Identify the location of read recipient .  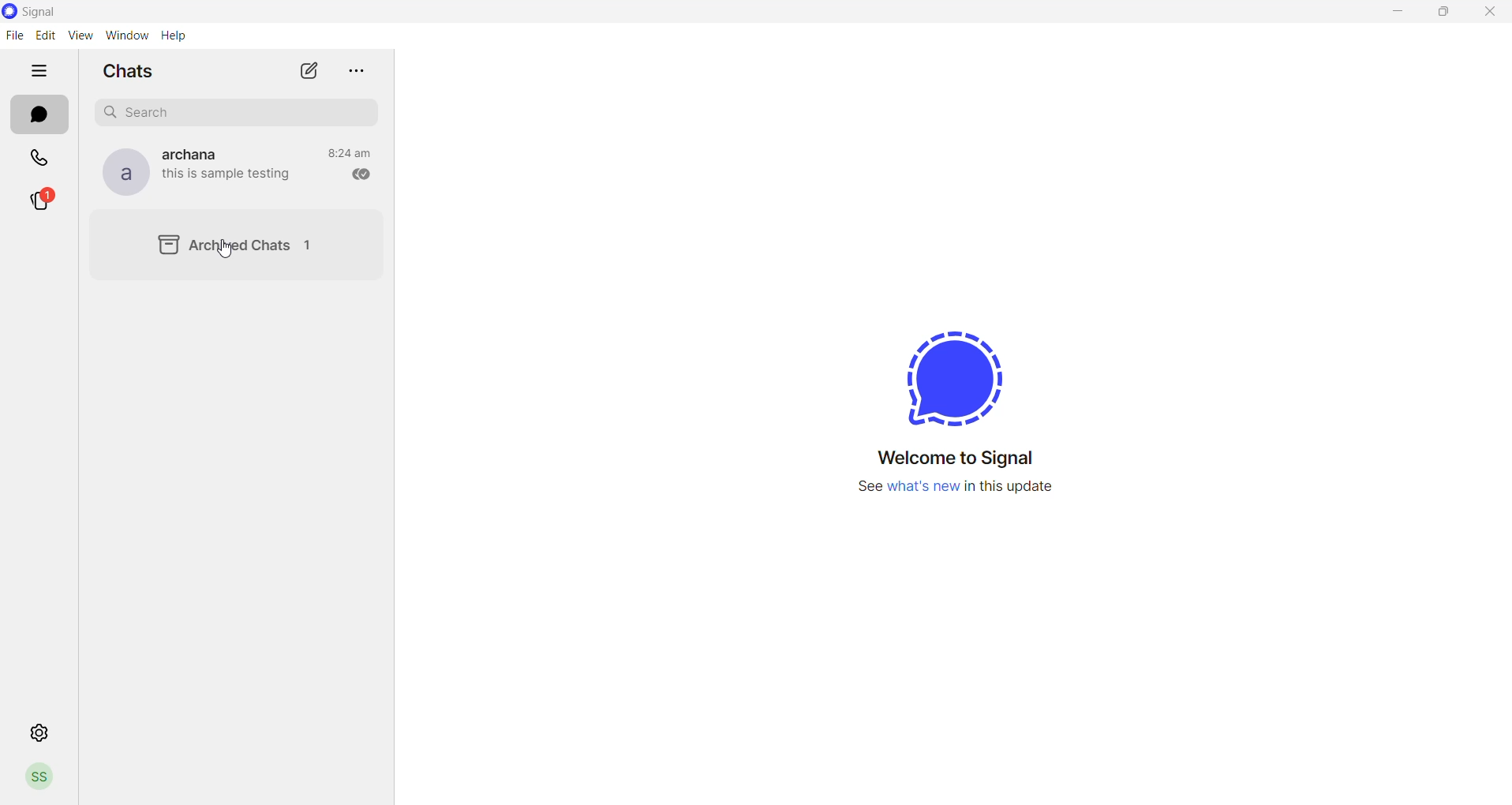
(361, 175).